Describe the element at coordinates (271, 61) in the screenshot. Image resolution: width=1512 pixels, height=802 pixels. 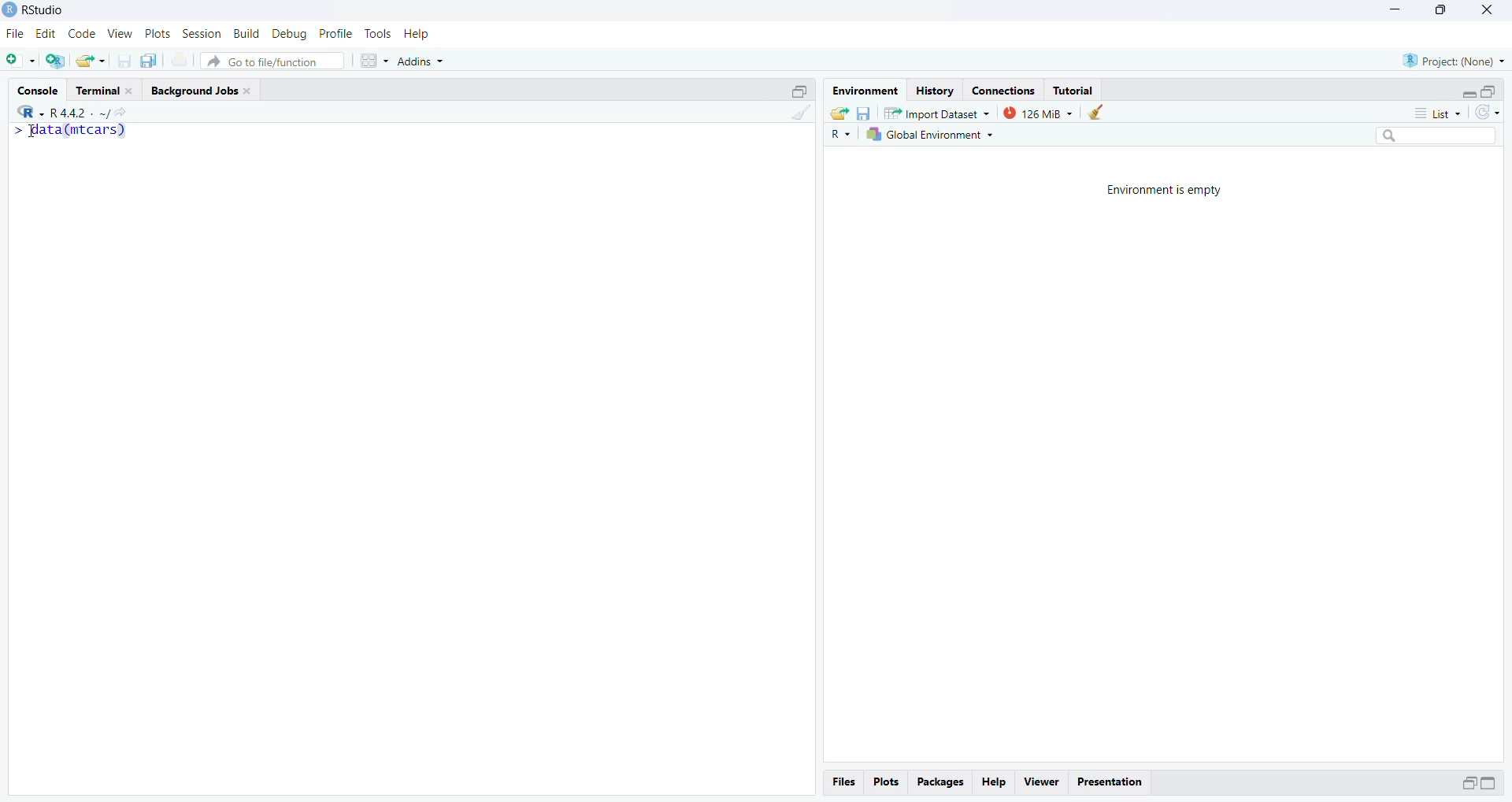
I see `Go to file/function` at that location.